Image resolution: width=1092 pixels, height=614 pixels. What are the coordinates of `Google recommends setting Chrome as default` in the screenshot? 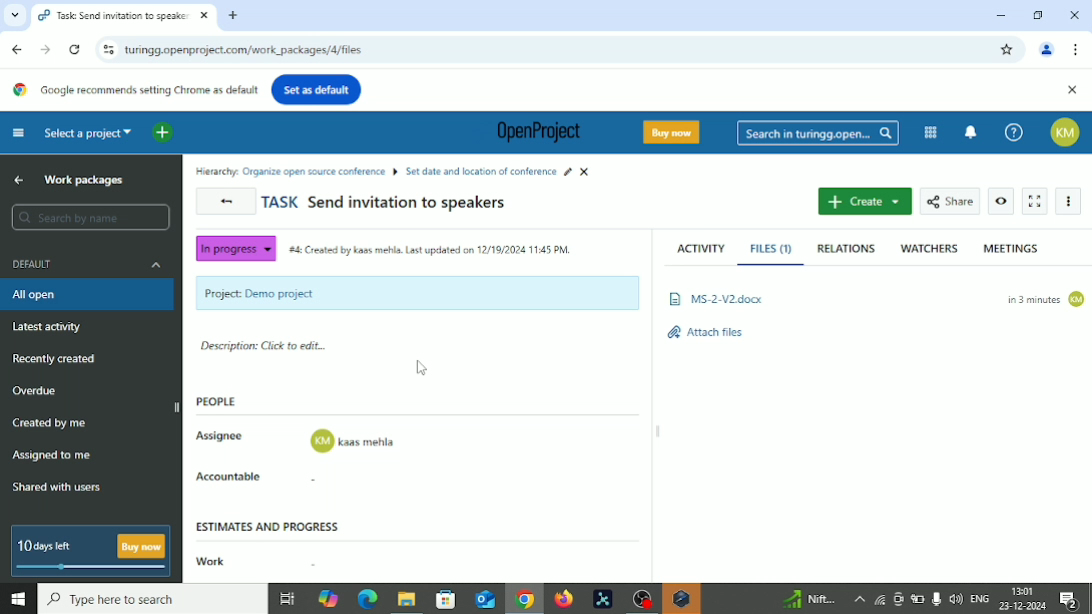 It's located at (133, 90).